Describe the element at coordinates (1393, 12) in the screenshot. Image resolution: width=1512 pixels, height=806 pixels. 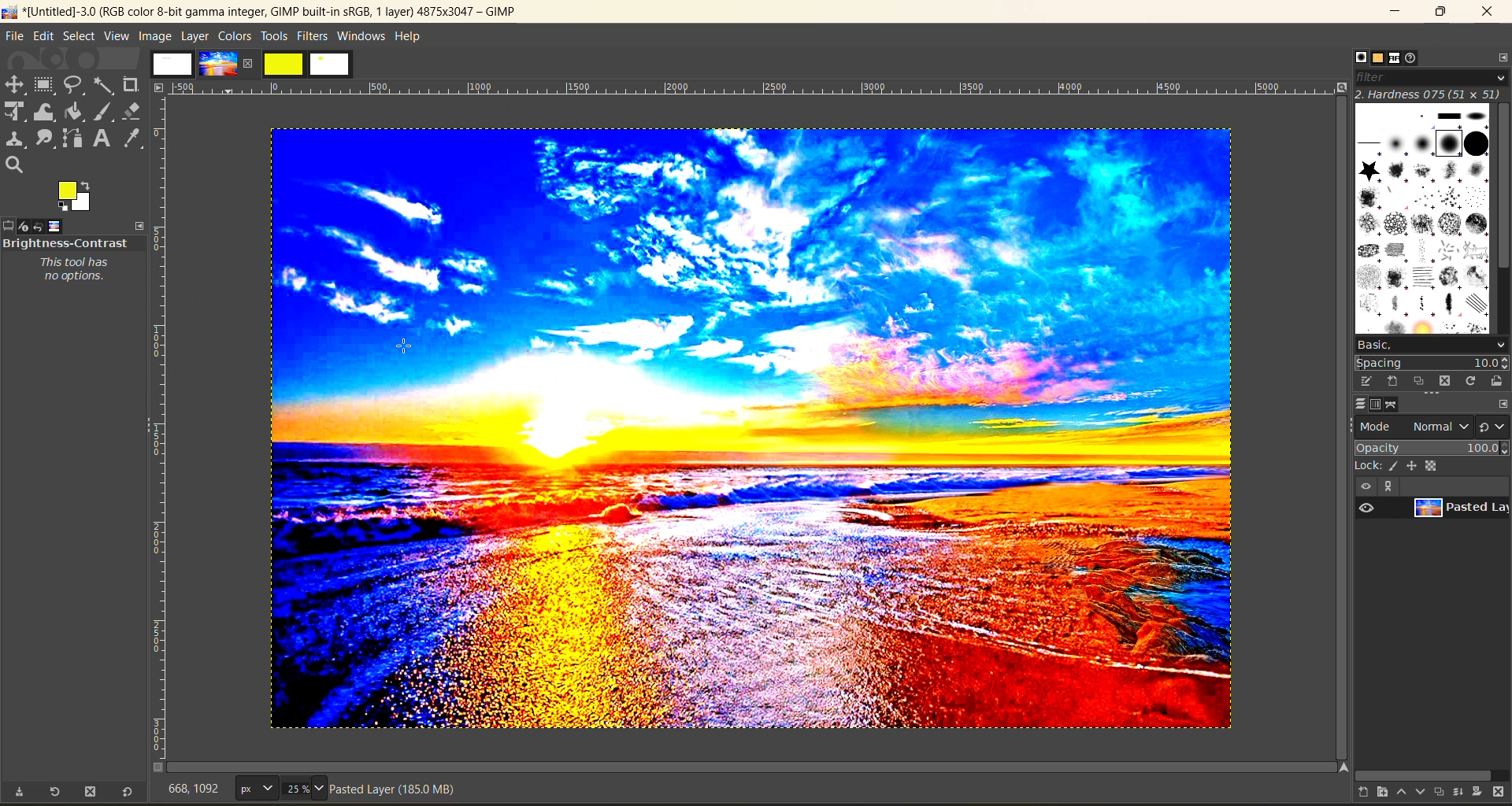
I see `minimize` at that location.